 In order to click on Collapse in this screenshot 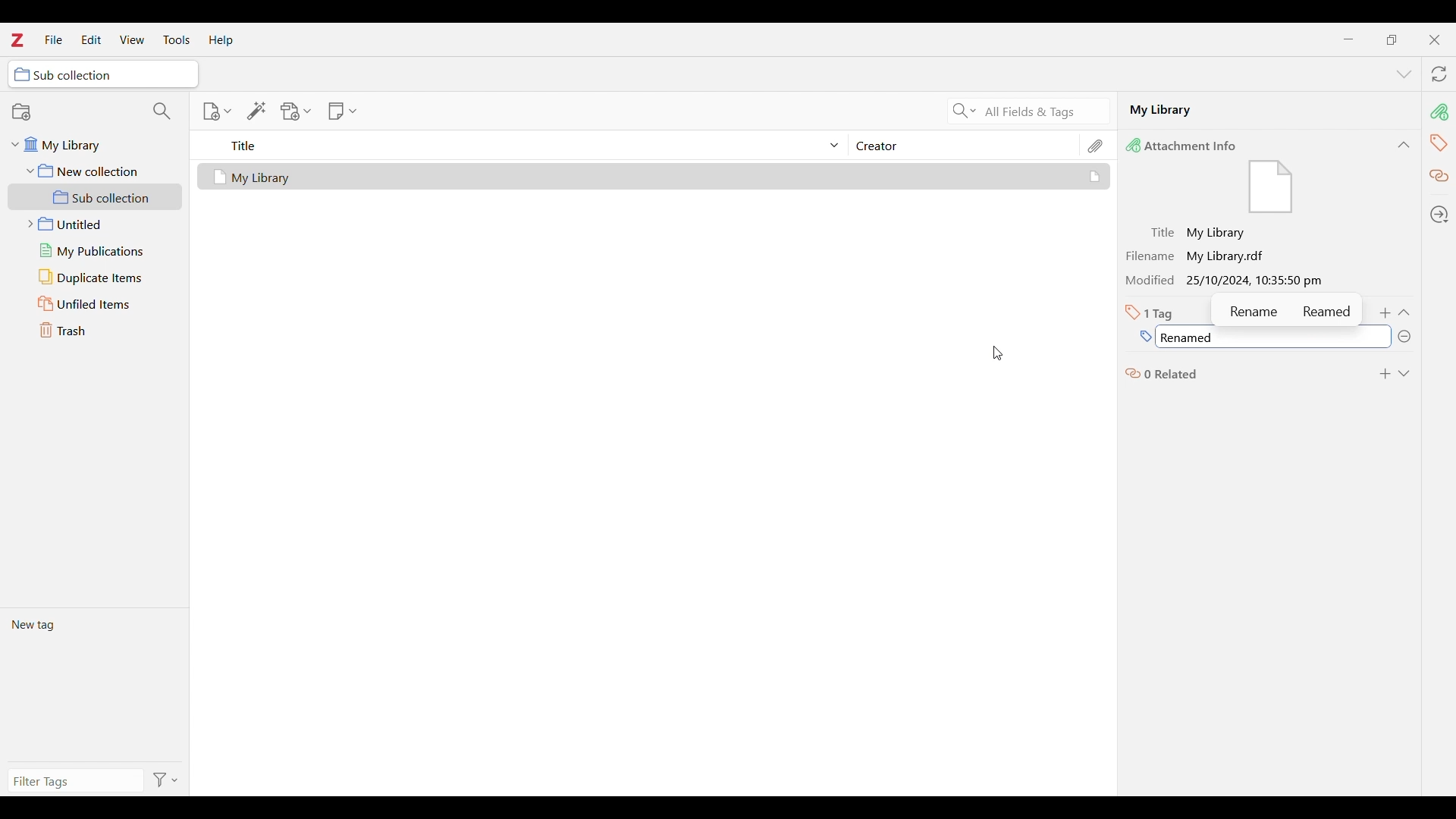, I will do `click(1404, 312)`.